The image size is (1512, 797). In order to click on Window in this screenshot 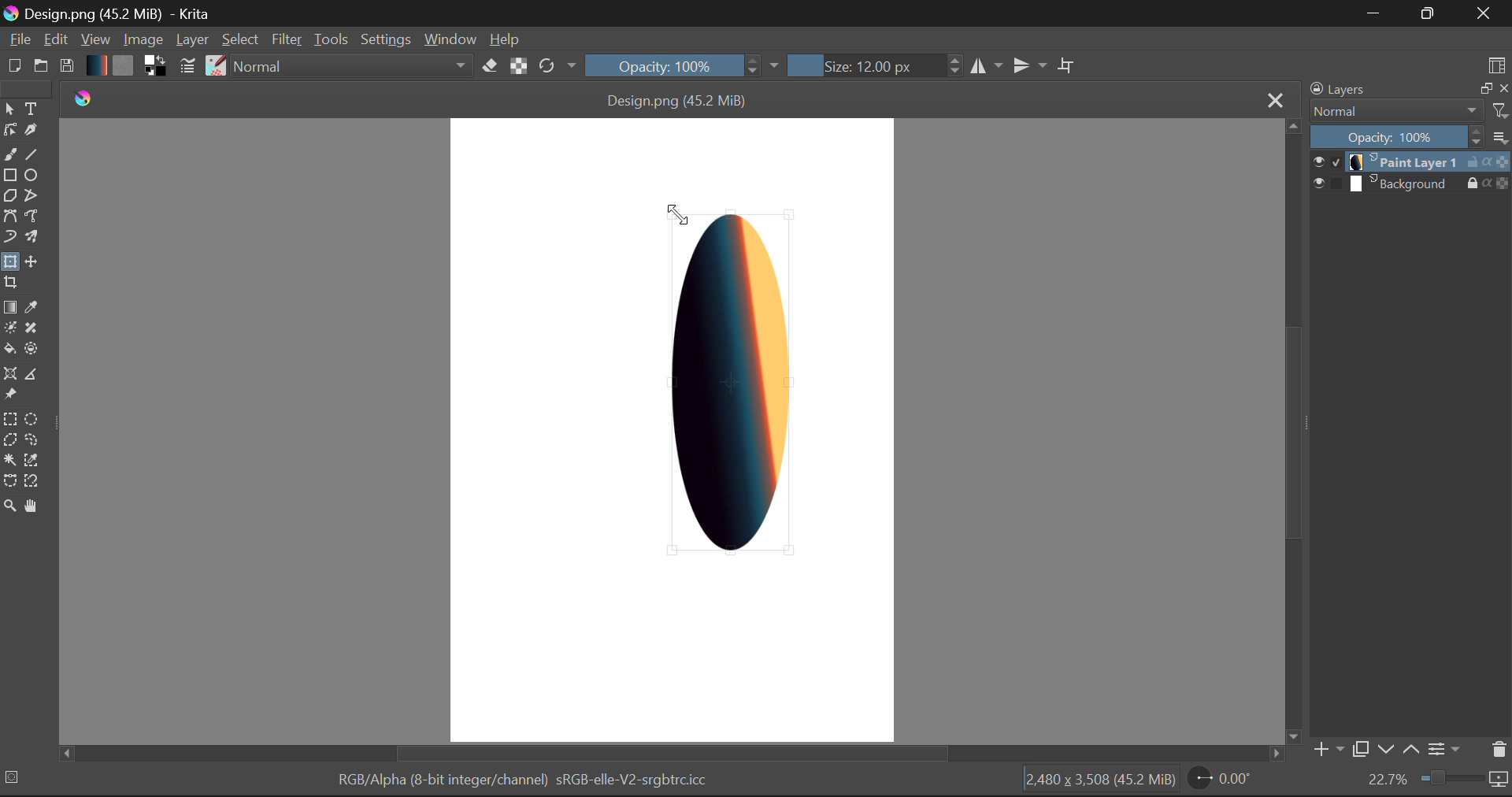, I will do `click(450, 40)`.